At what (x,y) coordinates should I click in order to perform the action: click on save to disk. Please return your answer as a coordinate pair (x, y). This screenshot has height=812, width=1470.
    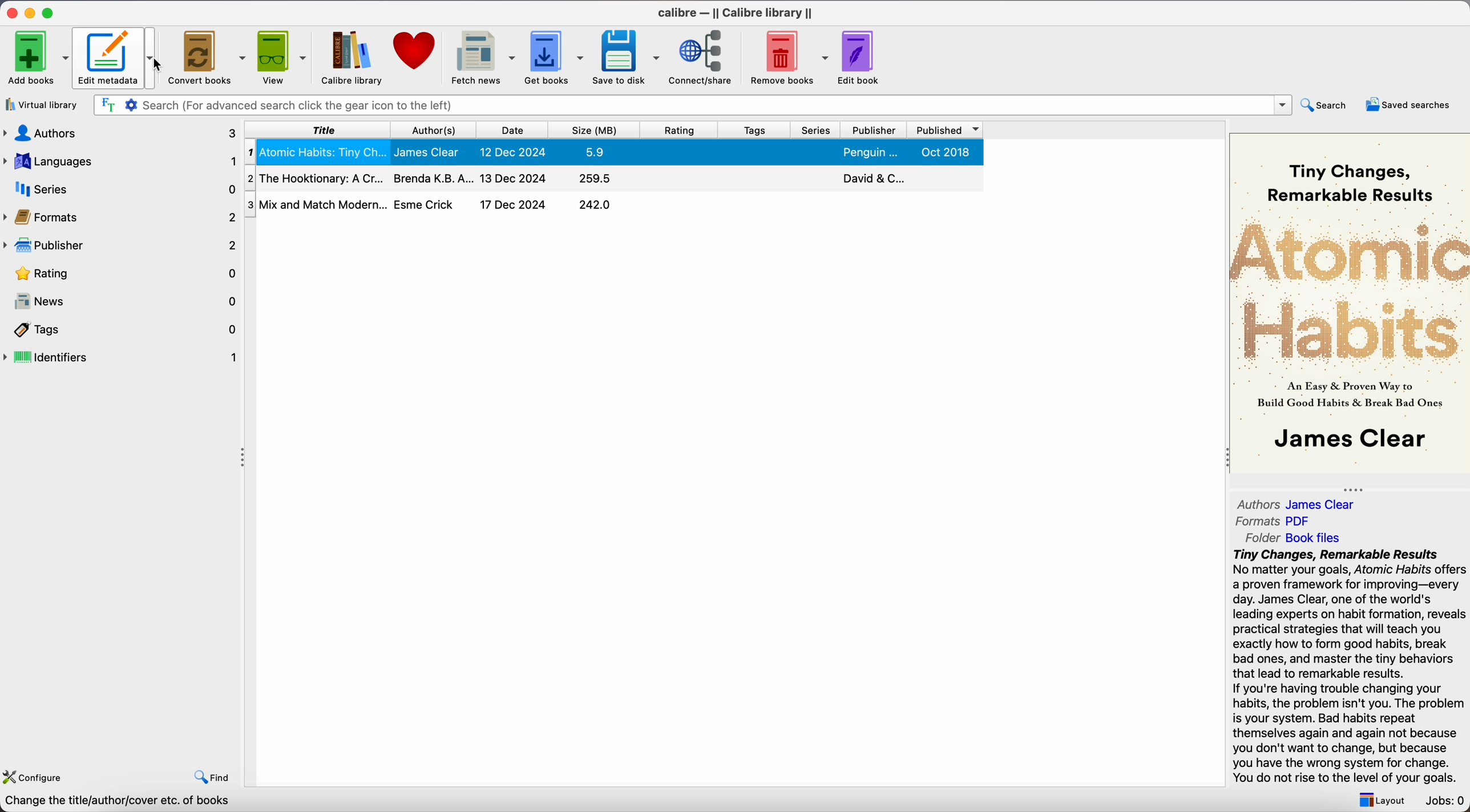
    Looking at the image, I should click on (627, 58).